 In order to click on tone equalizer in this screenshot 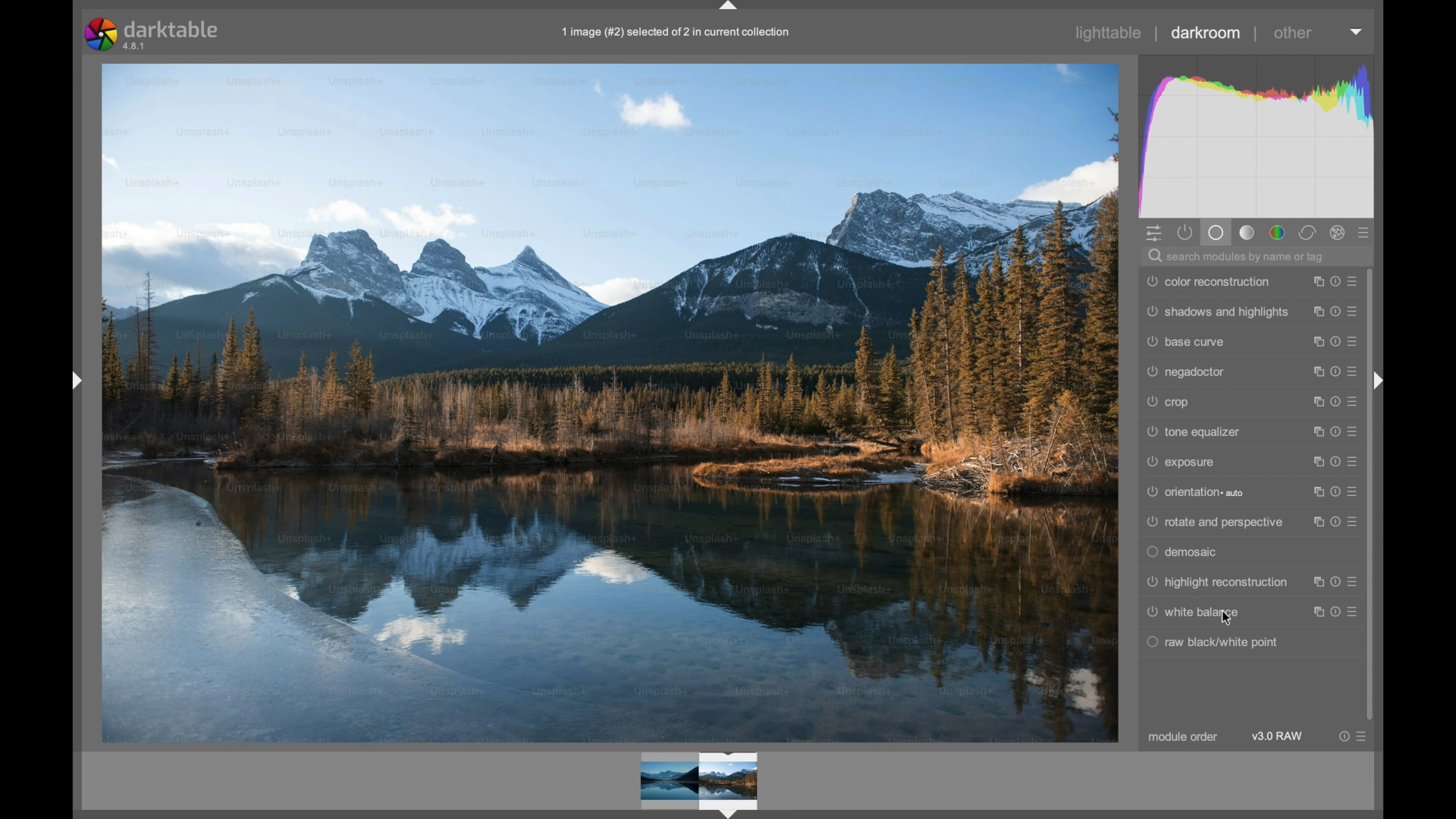, I will do `click(1192, 432)`.